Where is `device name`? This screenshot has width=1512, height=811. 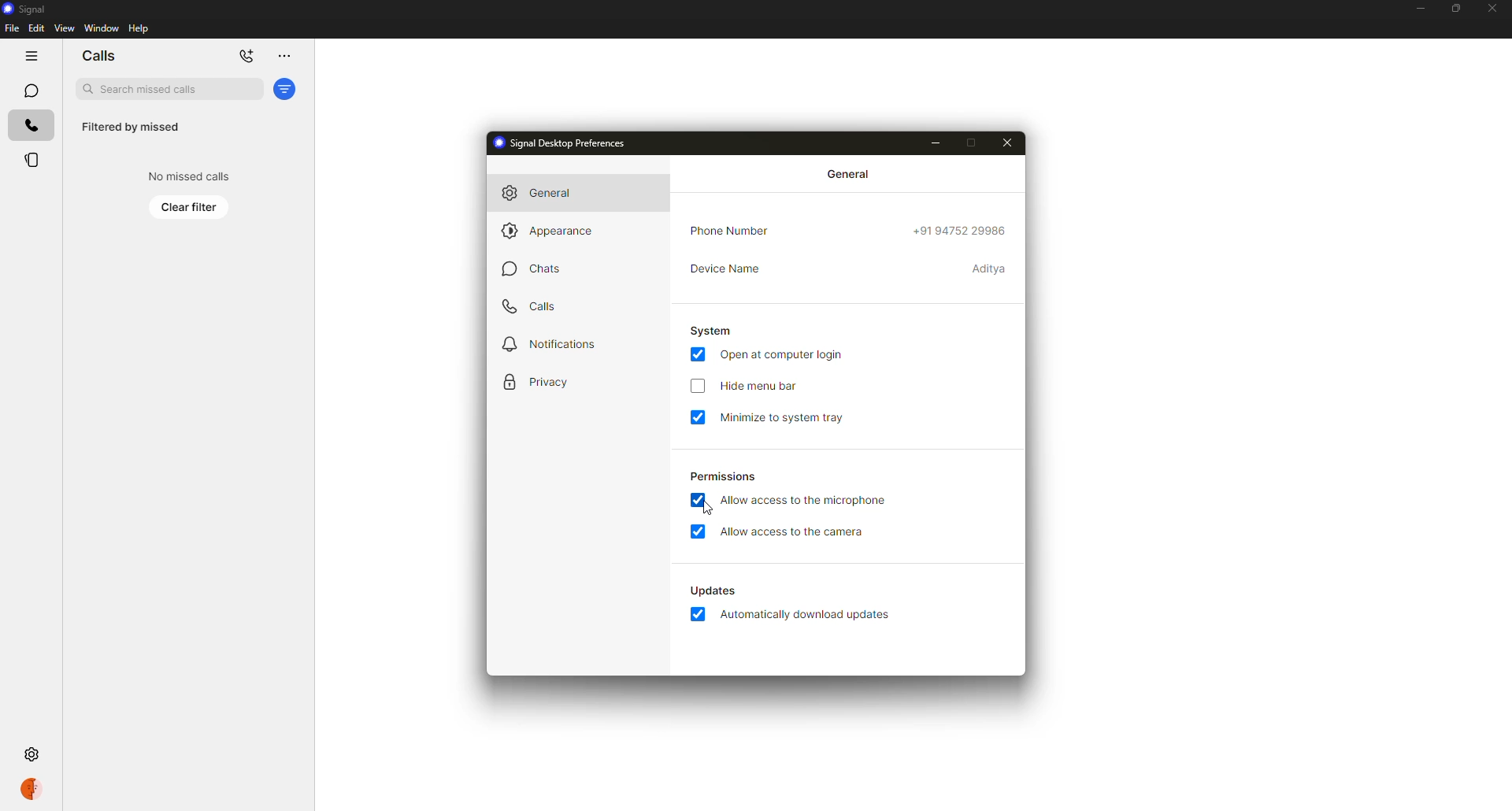
device name is located at coordinates (990, 268).